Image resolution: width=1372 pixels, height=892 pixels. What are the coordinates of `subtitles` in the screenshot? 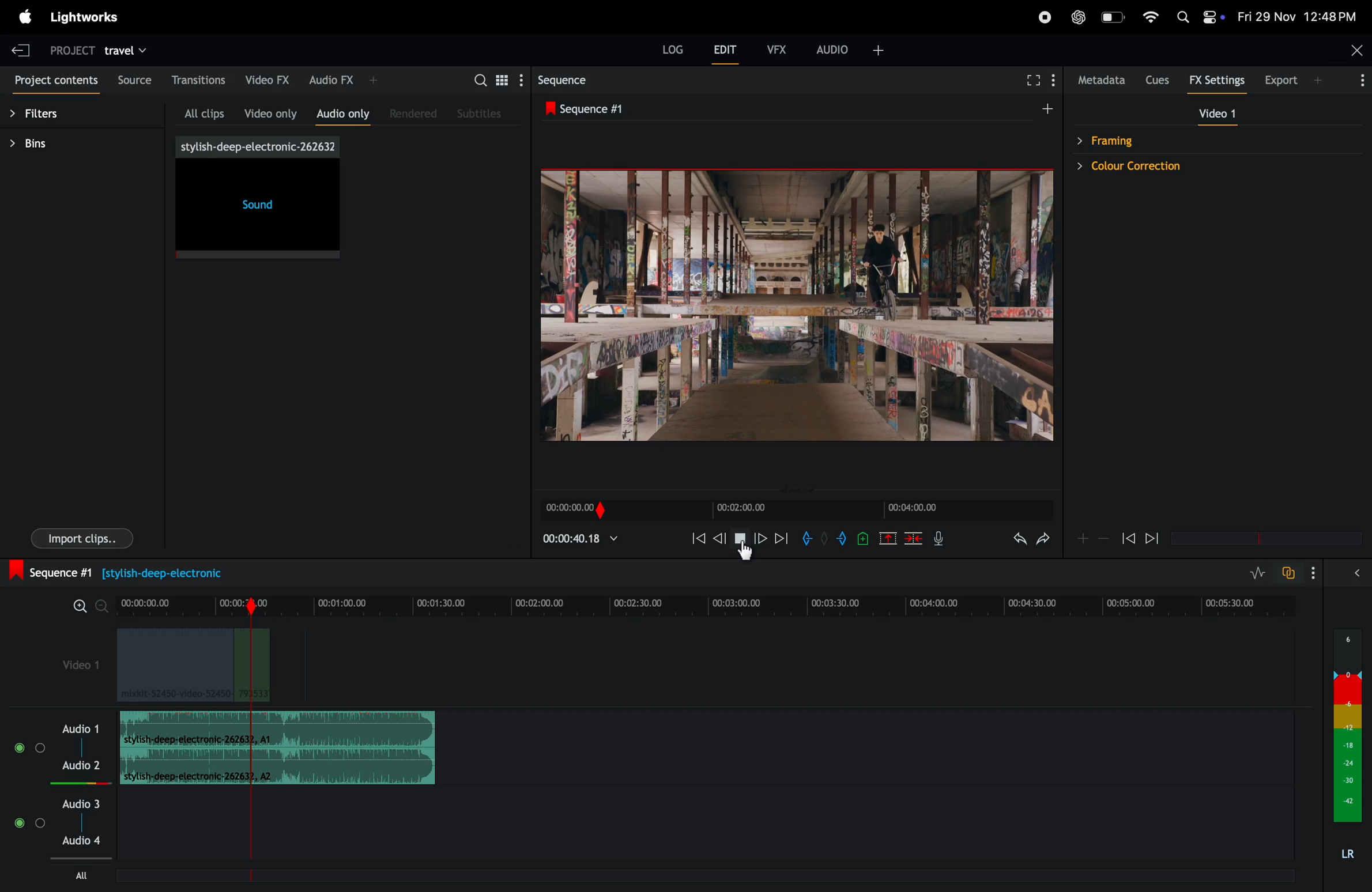 It's located at (485, 114).